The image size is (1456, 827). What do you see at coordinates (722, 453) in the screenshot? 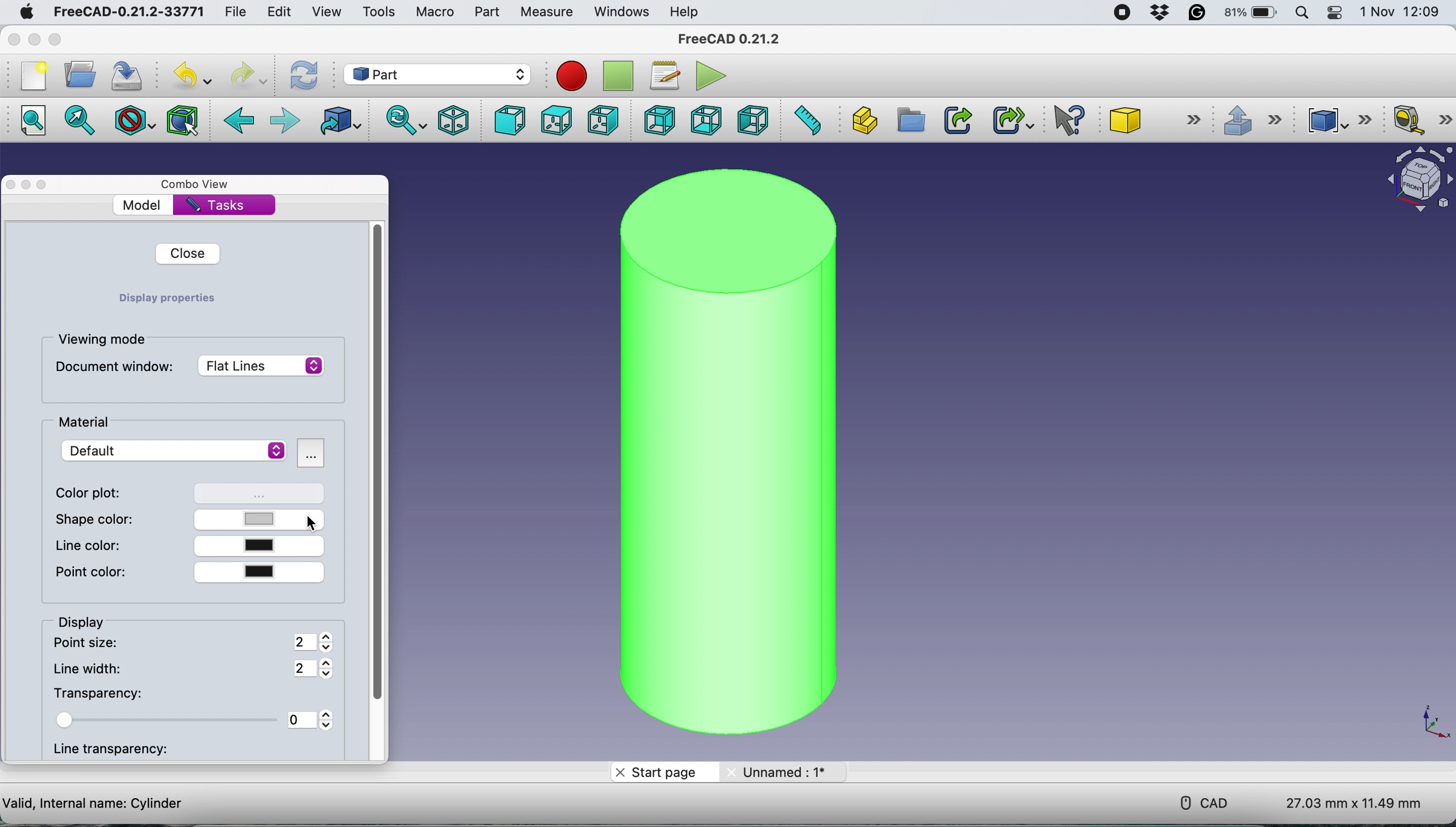
I see `cylinder` at bounding box center [722, 453].